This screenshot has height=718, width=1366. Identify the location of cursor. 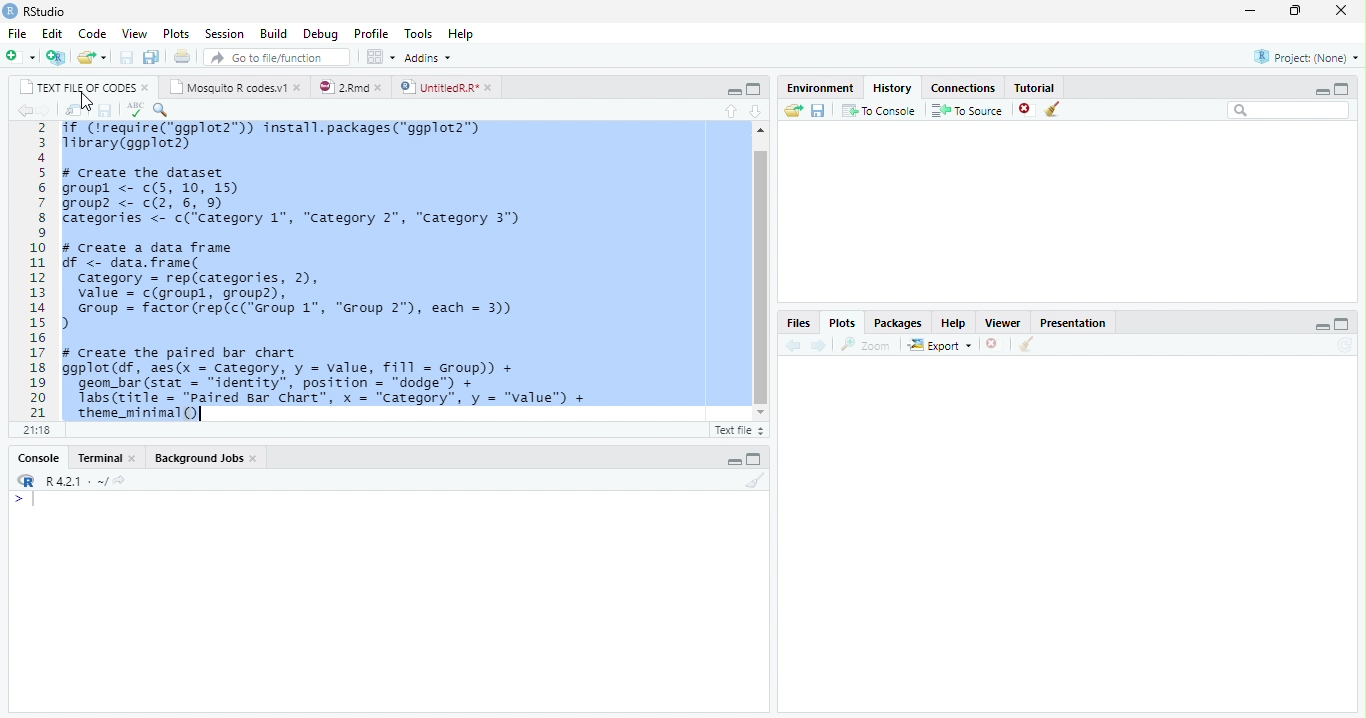
(86, 101).